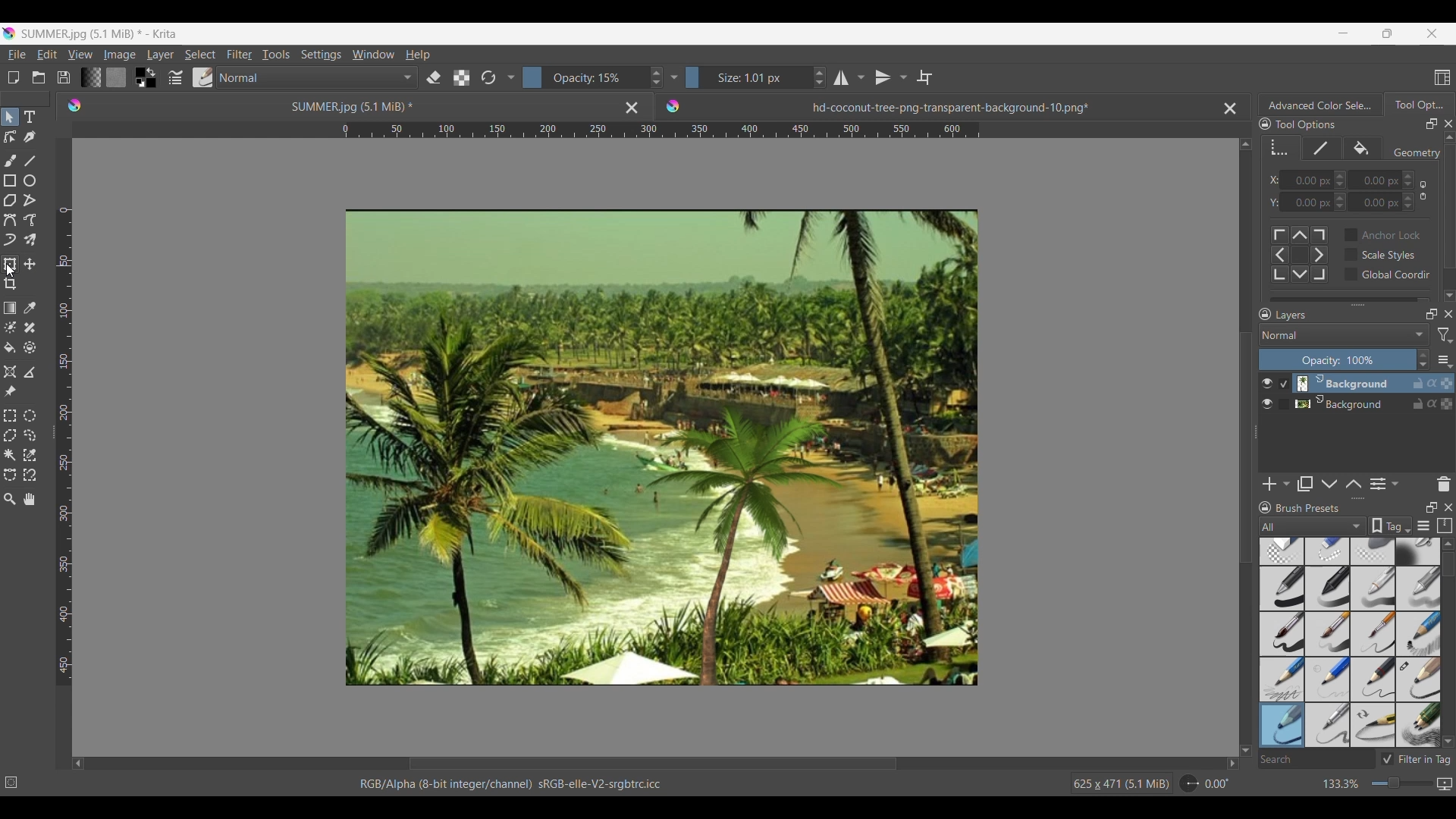 Image resolution: width=1456 pixels, height=819 pixels. What do you see at coordinates (1328, 588) in the screenshot?
I see `basic2-opacity` at bounding box center [1328, 588].